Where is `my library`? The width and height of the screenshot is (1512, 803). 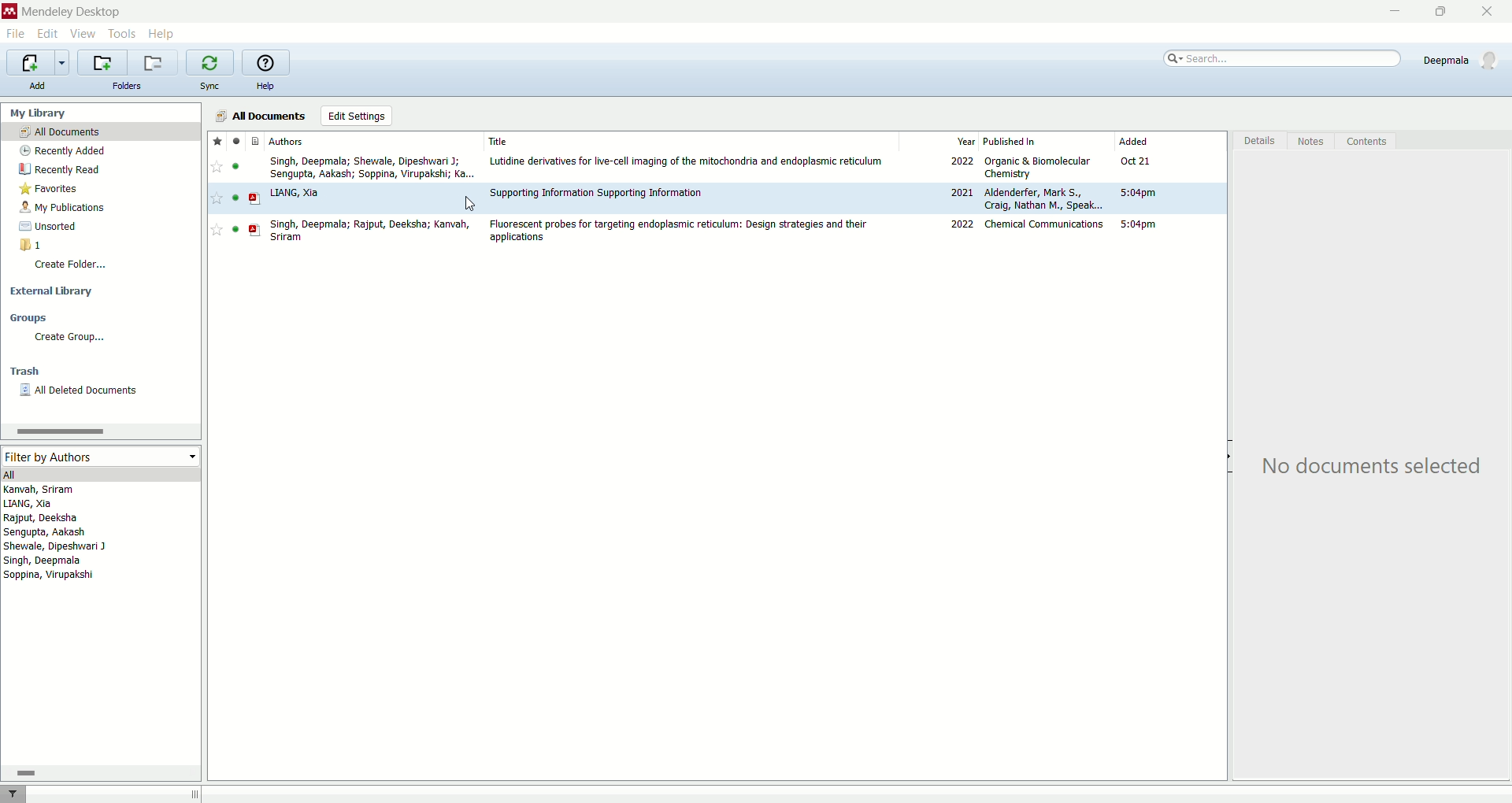 my library is located at coordinates (39, 113).